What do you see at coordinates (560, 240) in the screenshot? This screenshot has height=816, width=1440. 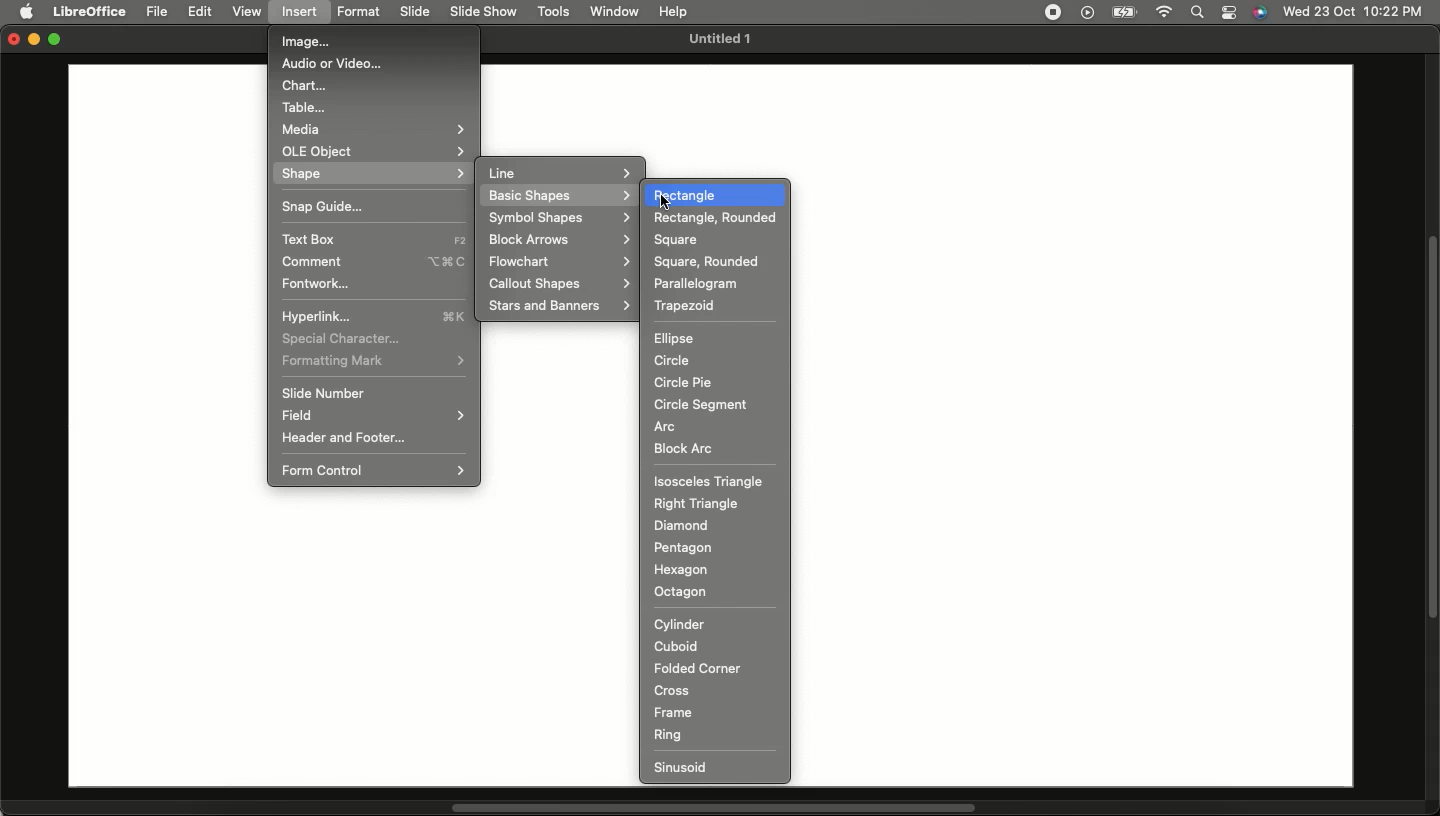 I see `Block arrows` at bounding box center [560, 240].